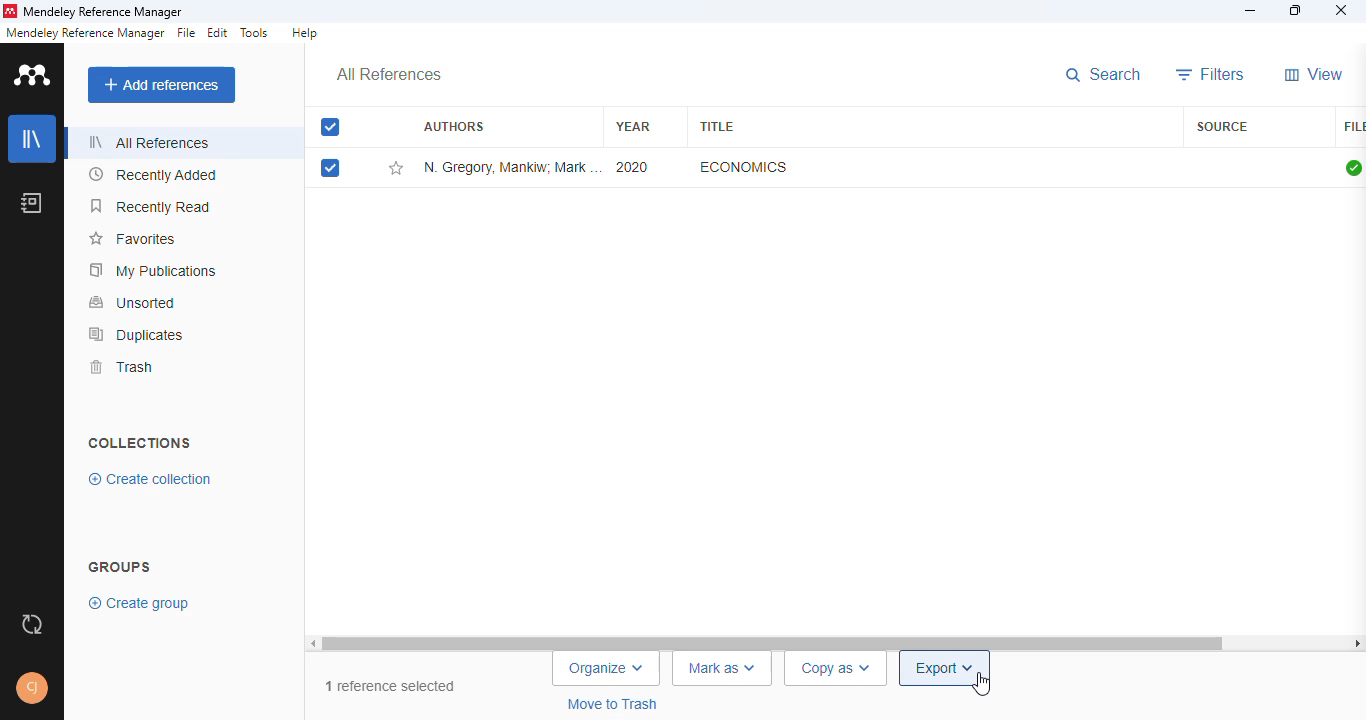  I want to click on 1 reference selected, so click(392, 687).